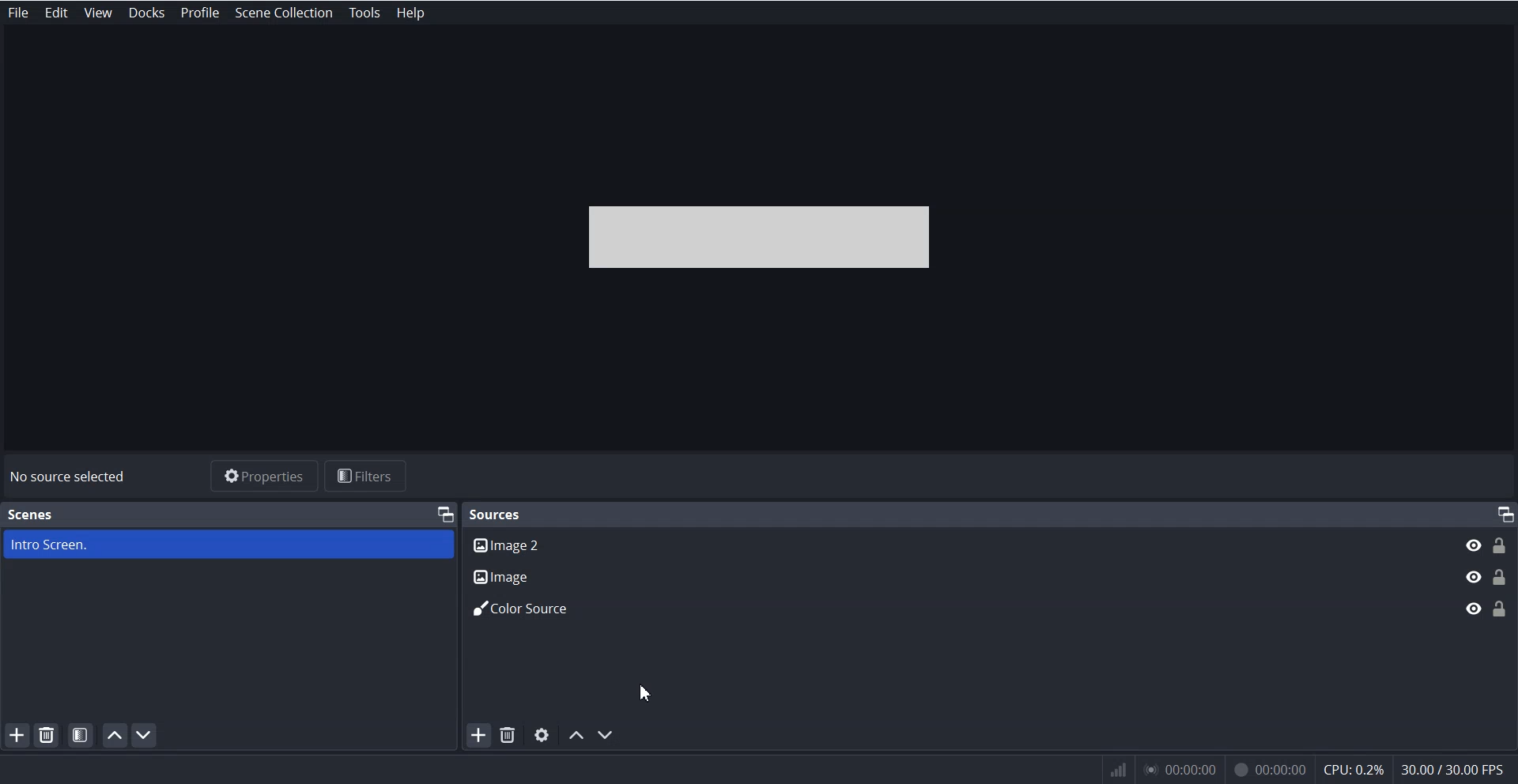 The width and height of the screenshot is (1518, 784). What do you see at coordinates (609, 735) in the screenshot?
I see `Move Scene down` at bounding box center [609, 735].